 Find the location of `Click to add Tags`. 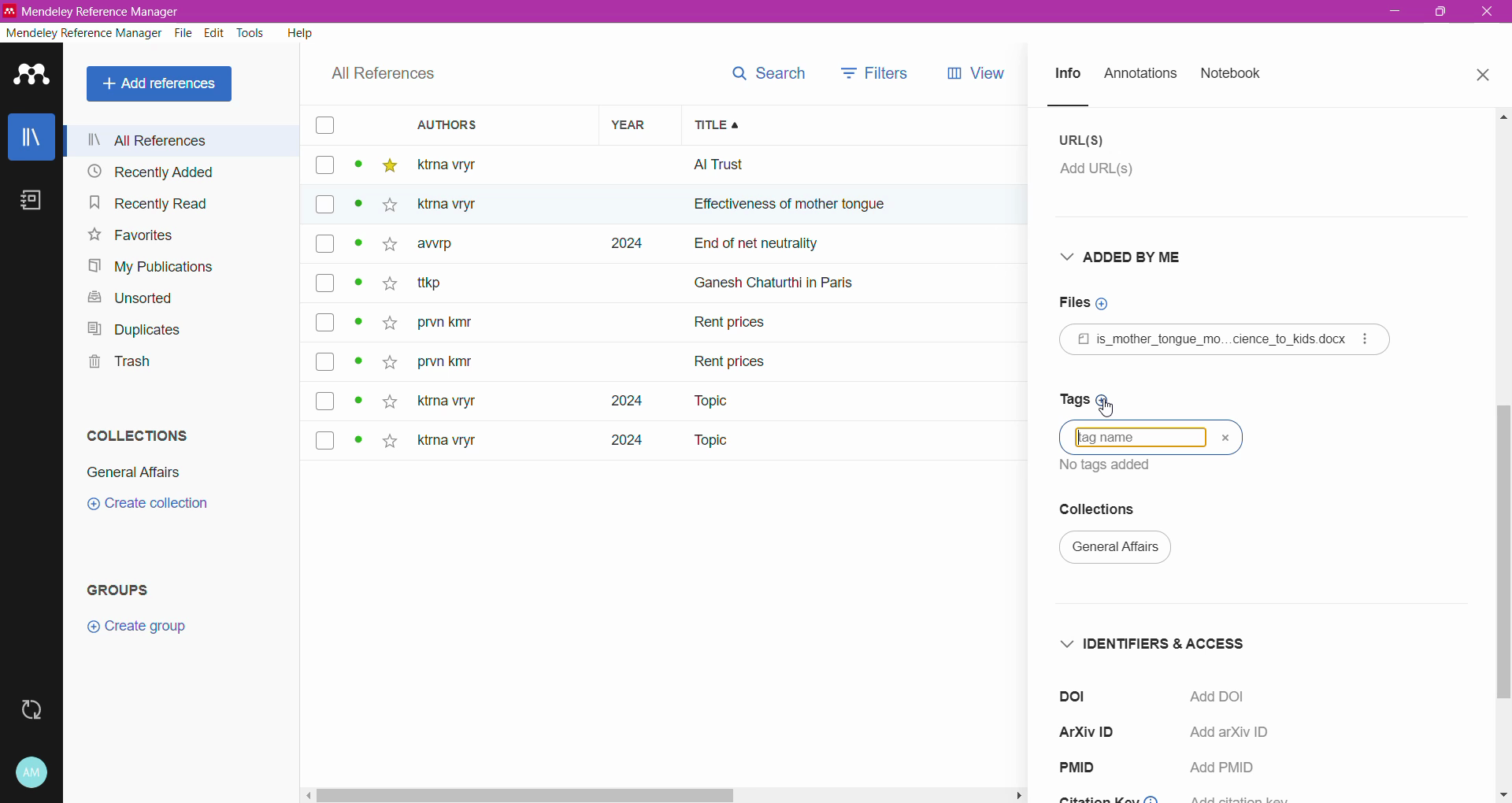

Click to add Tags is located at coordinates (1080, 399).